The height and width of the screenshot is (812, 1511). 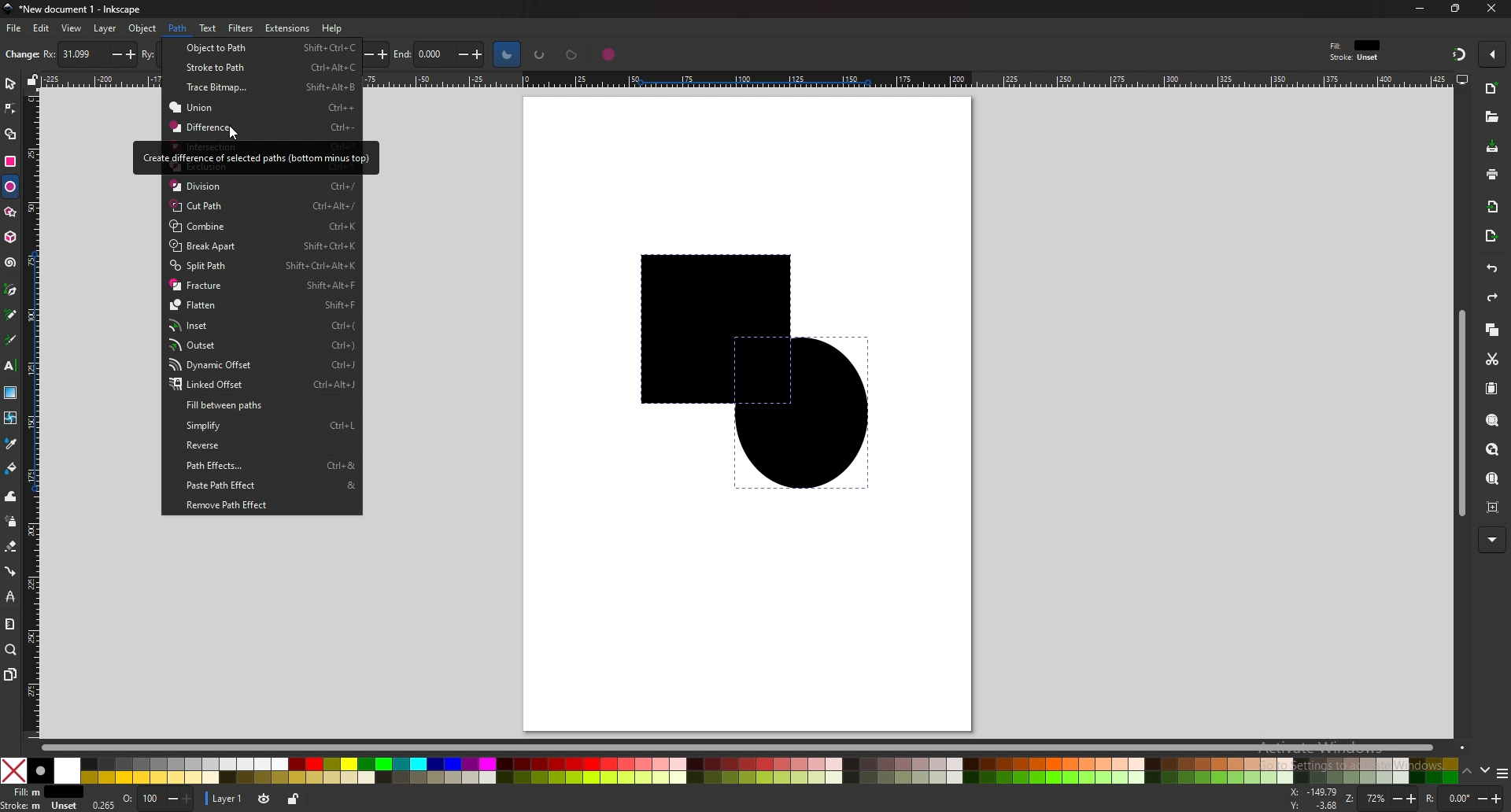 I want to click on open, so click(x=1491, y=116).